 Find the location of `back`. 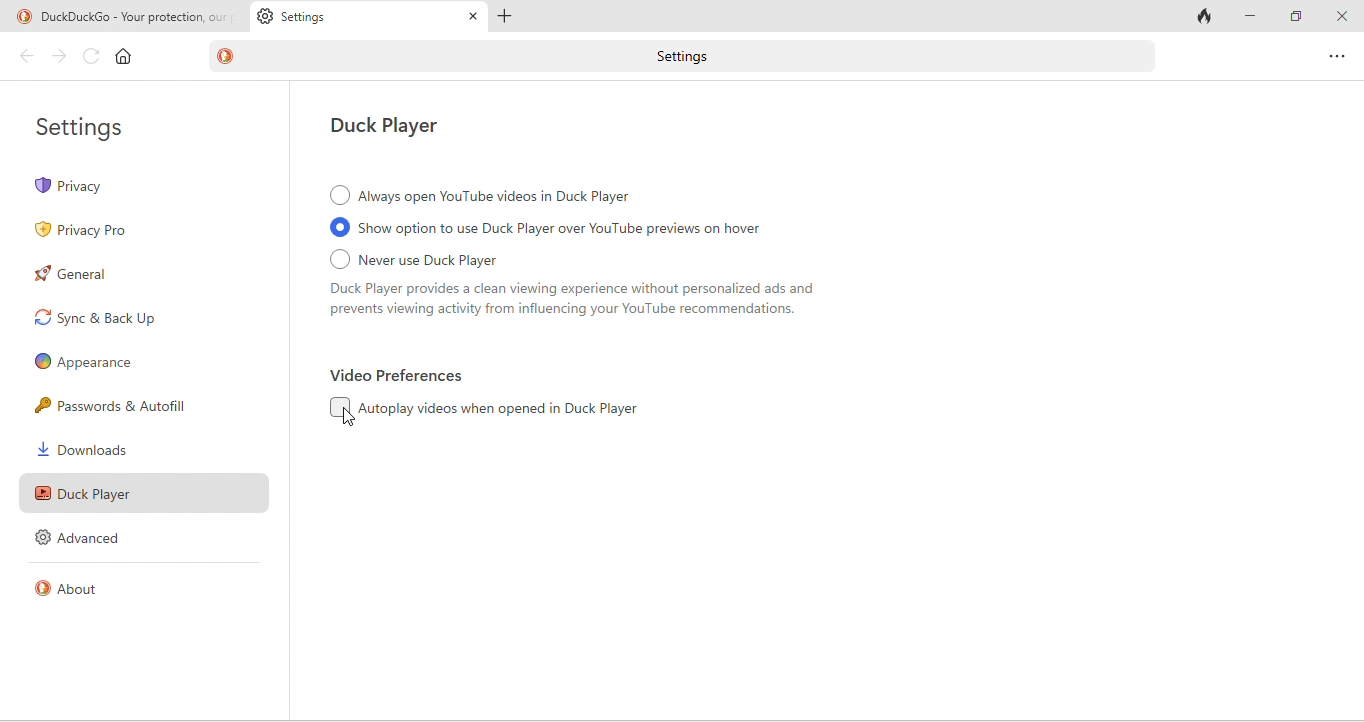

back is located at coordinates (23, 57).